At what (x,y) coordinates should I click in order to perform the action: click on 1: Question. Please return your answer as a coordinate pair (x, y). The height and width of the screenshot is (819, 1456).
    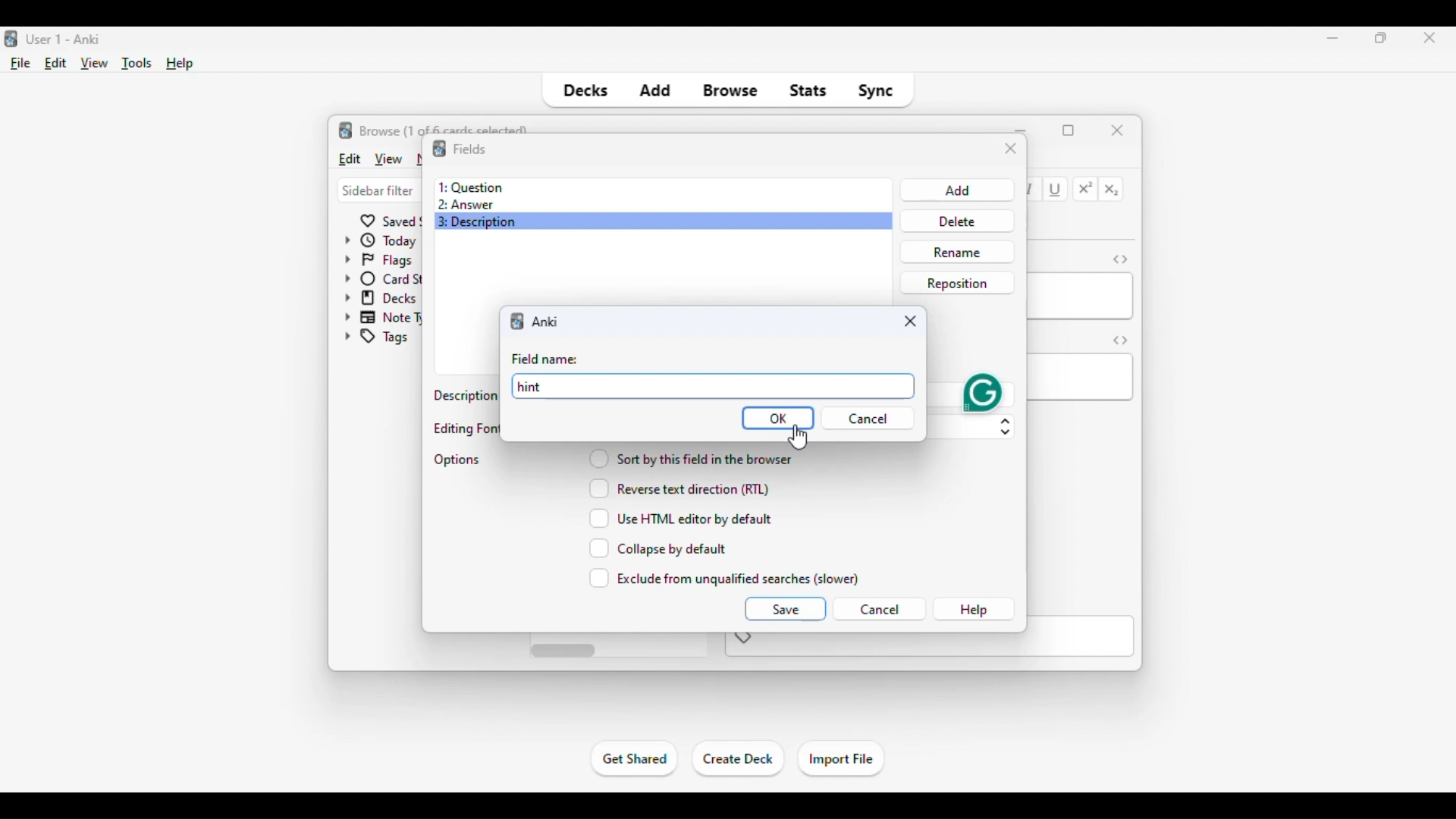
    Looking at the image, I should click on (470, 187).